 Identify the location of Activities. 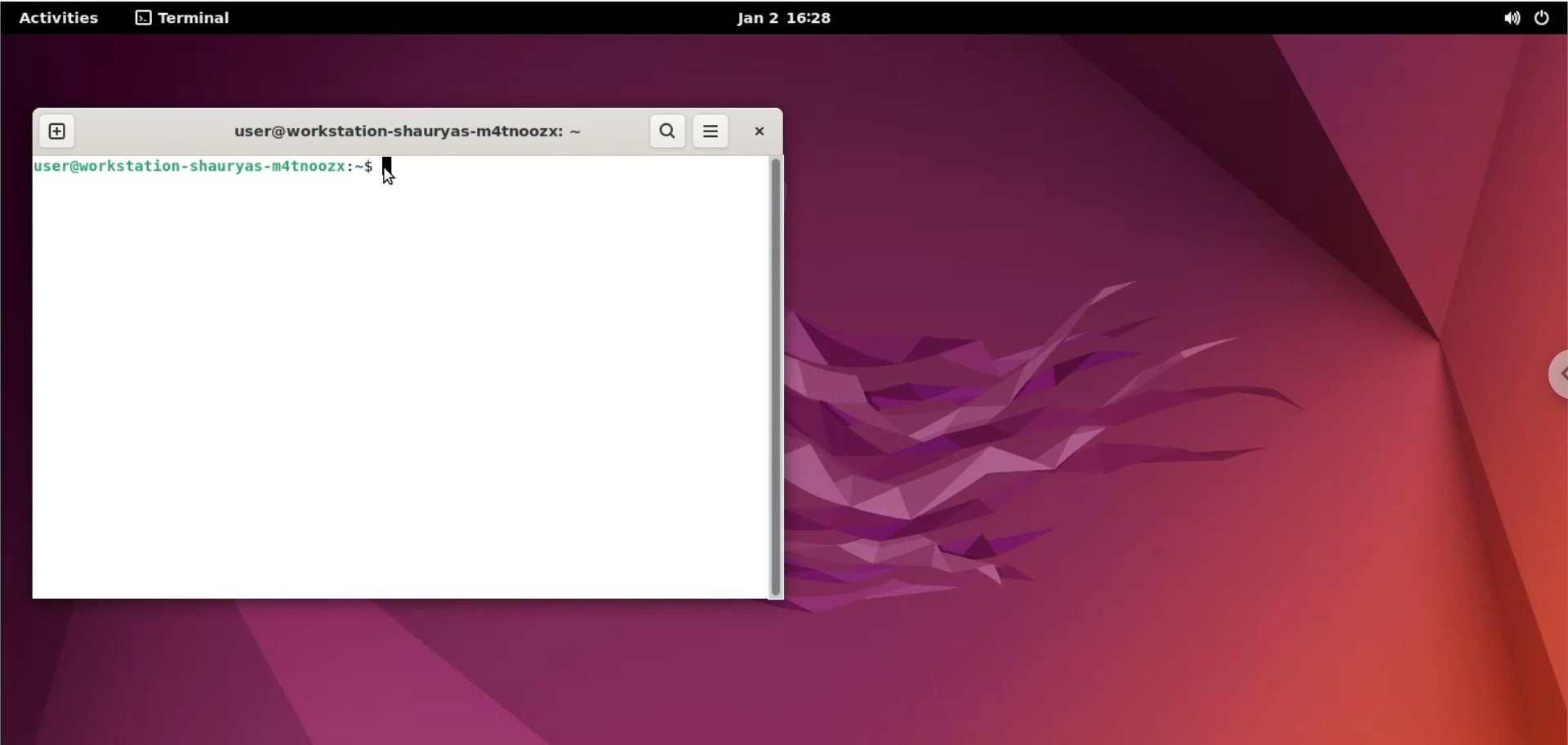
(61, 20).